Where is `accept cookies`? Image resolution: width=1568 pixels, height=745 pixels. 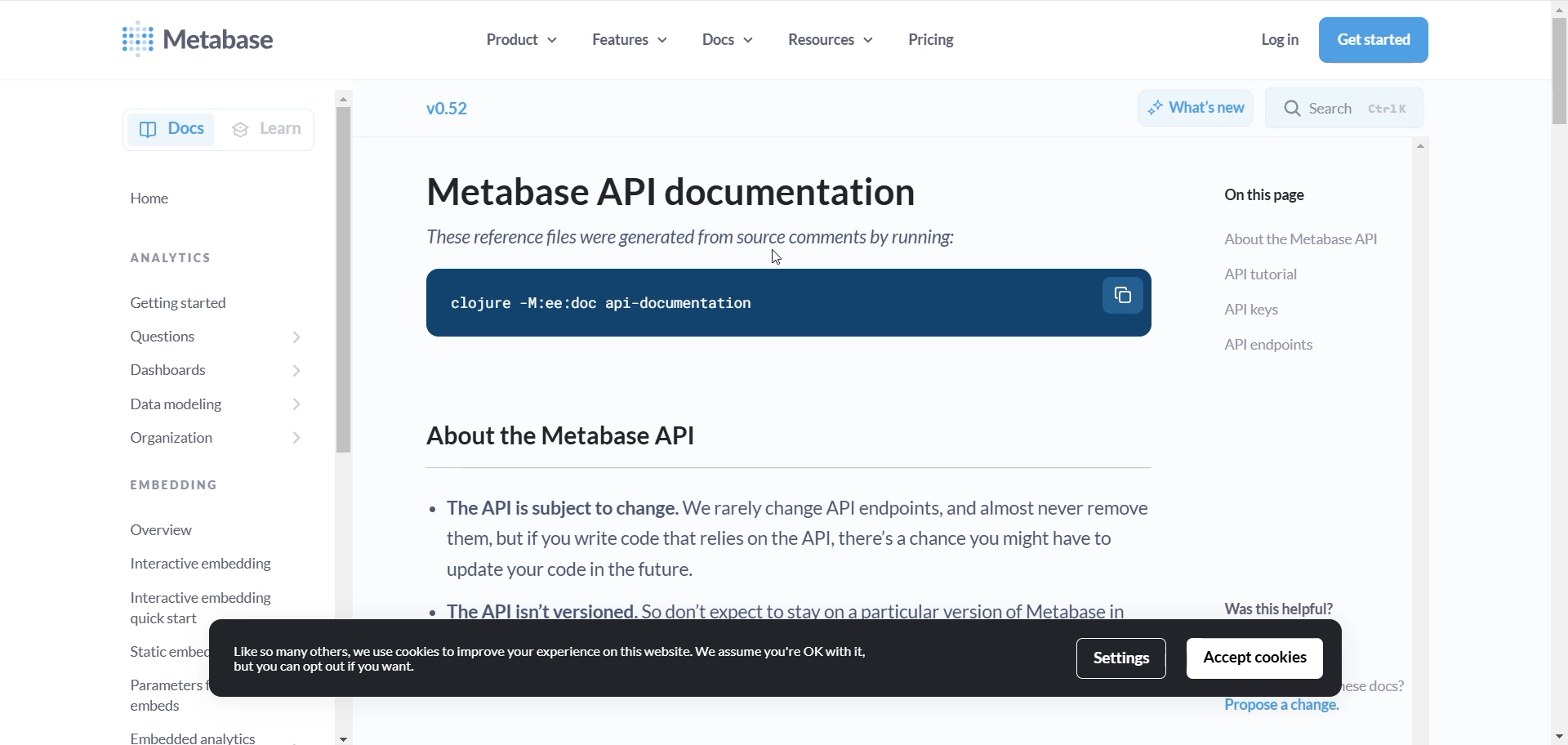 accept cookies is located at coordinates (1254, 658).